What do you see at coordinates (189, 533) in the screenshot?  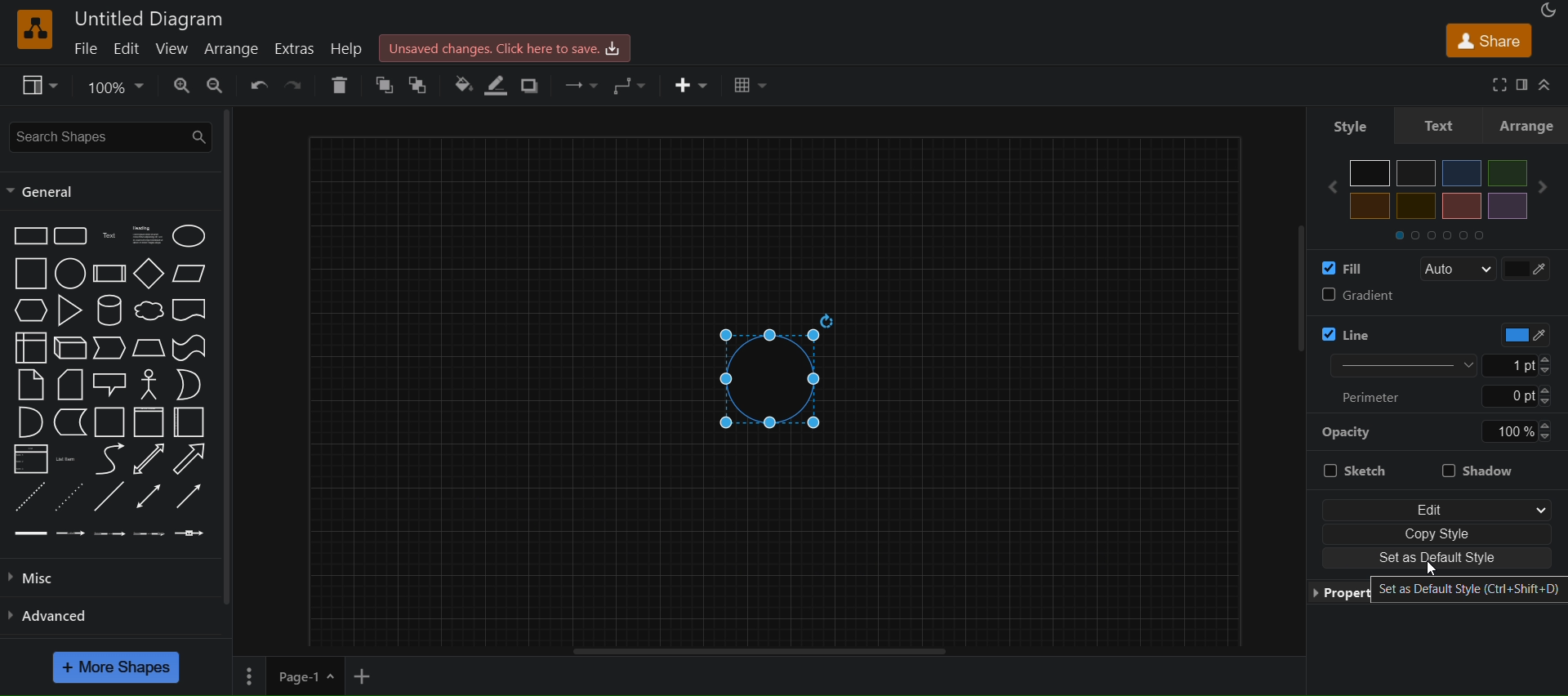 I see `connector 5` at bounding box center [189, 533].